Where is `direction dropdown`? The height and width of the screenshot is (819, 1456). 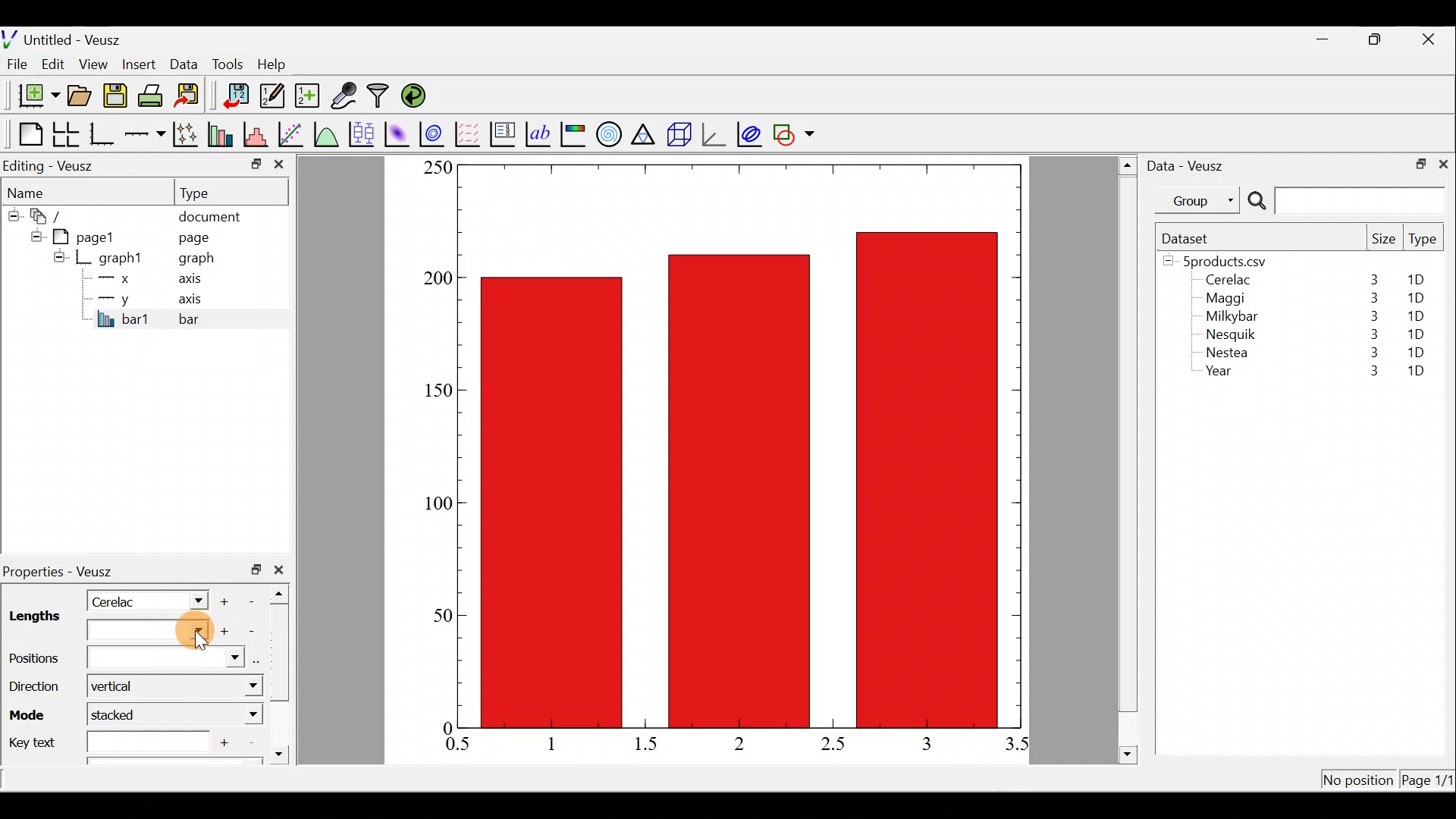 direction dropdown is located at coordinates (234, 687).